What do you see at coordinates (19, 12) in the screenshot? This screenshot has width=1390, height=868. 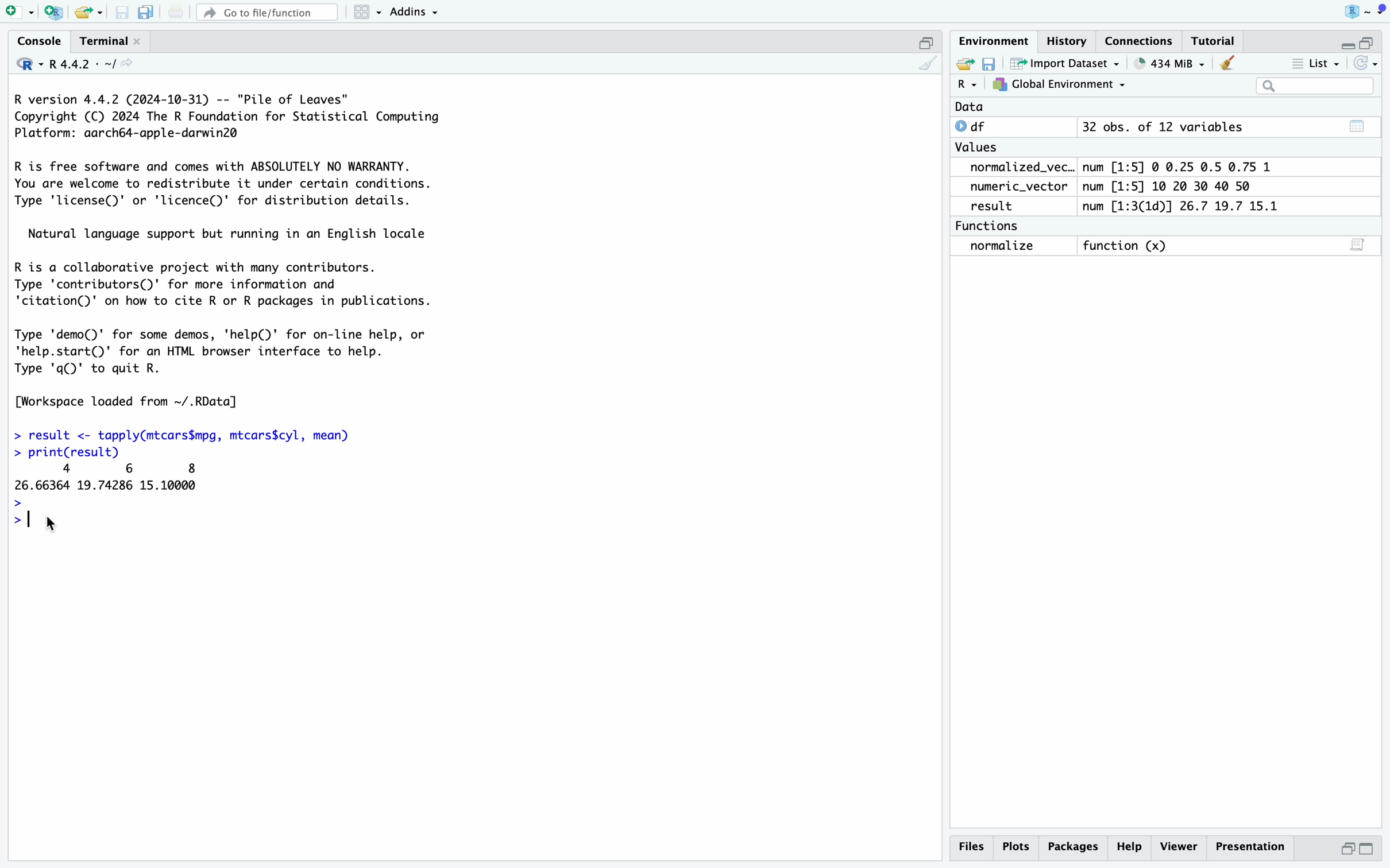 I see `Open new file` at bounding box center [19, 12].